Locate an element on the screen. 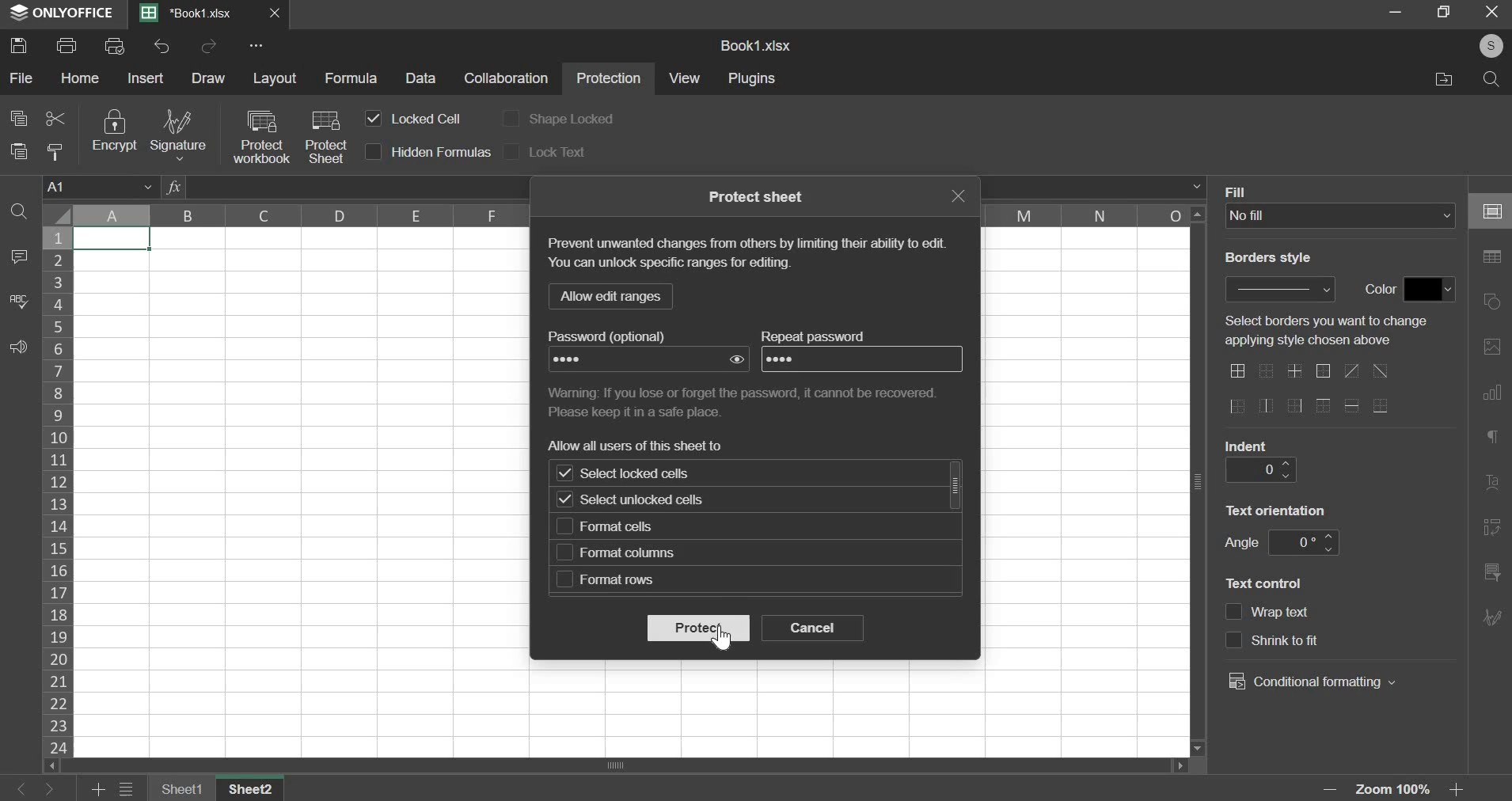 The image size is (1512, 801). border options is located at coordinates (1382, 371).